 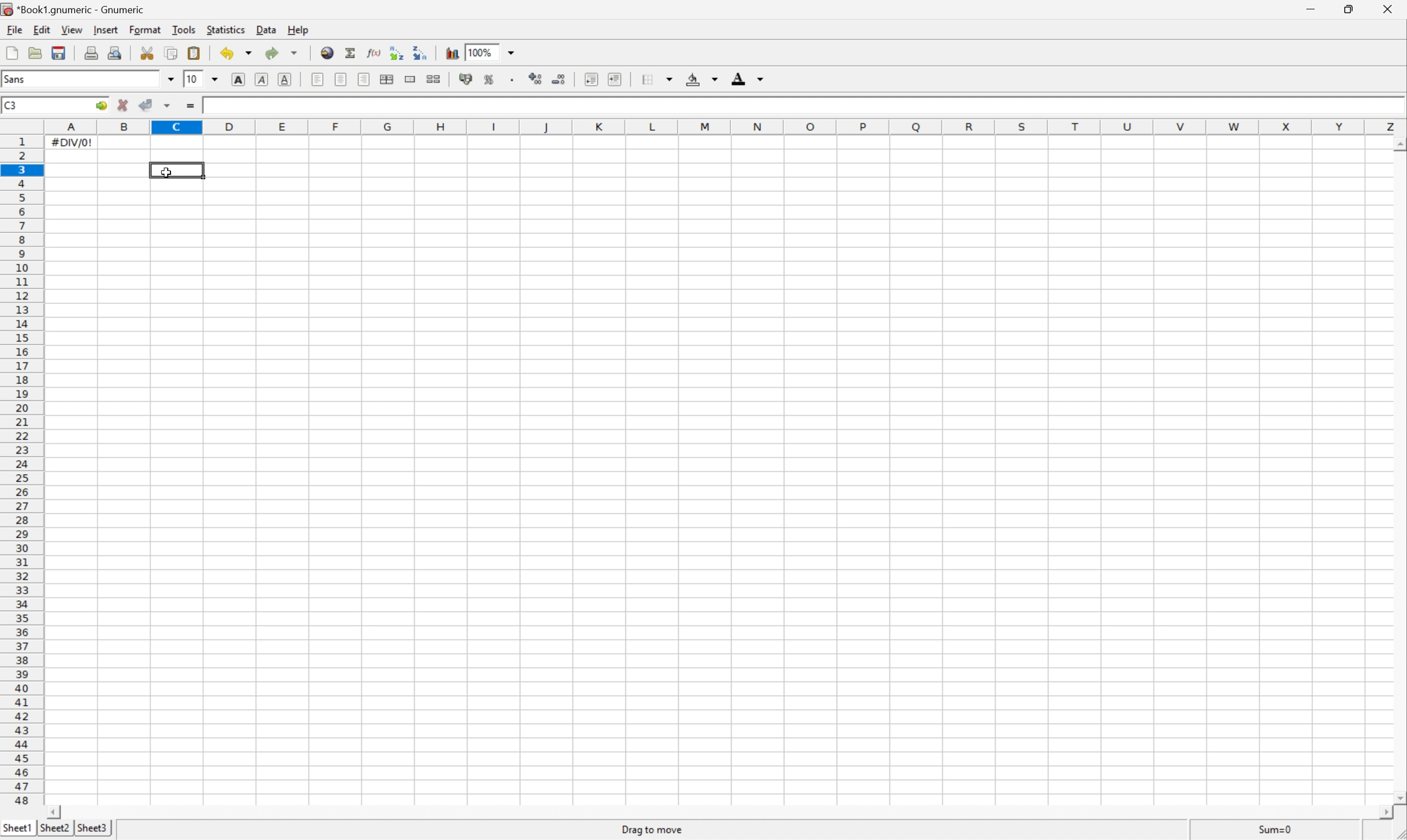 What do you see at coordinates (57, 811) in the screenshot?
I see `Scroll left` at bounding box center [57, 811].